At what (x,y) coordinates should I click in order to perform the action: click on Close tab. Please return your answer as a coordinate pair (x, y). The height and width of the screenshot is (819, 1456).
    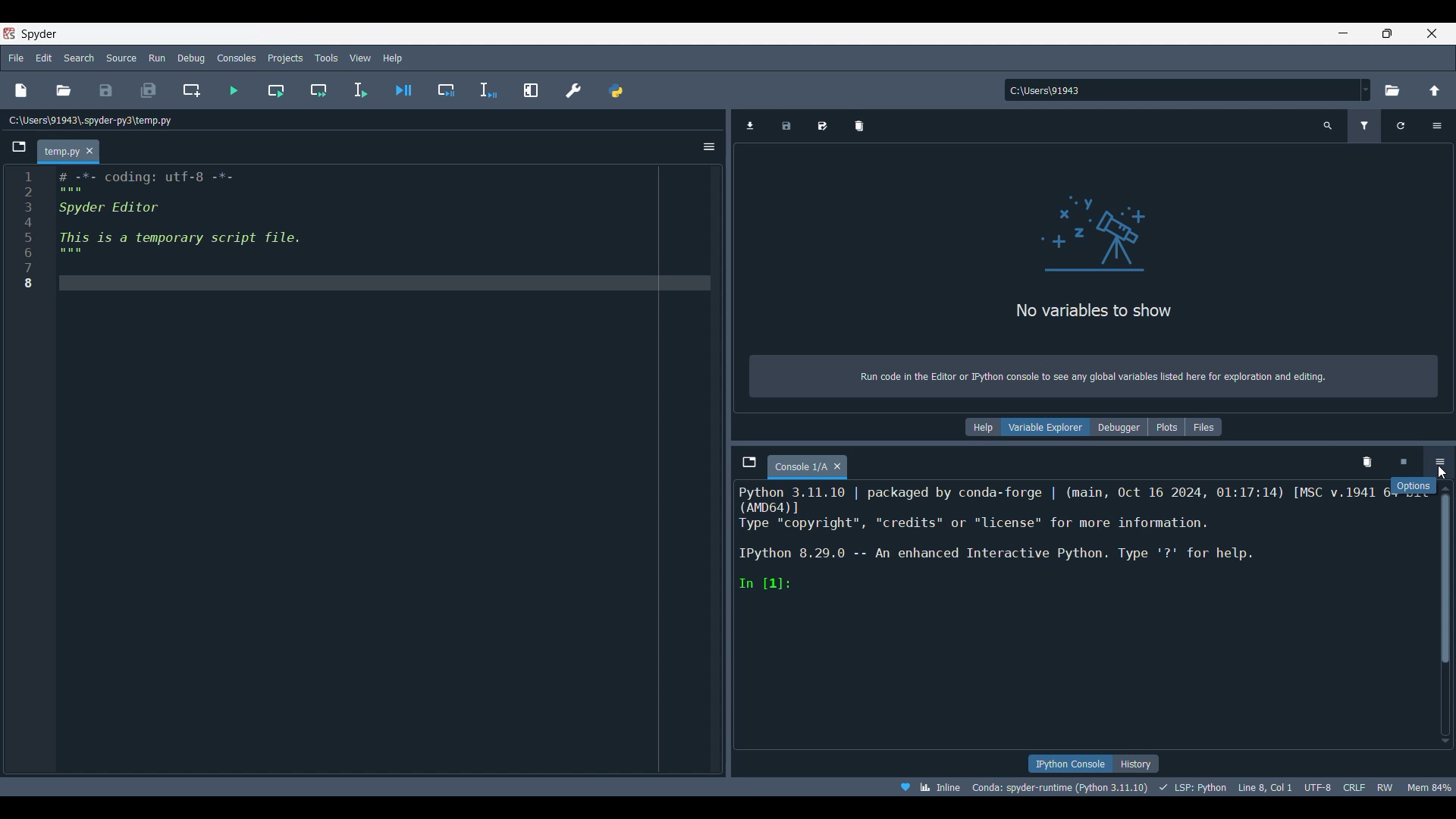
    Looking at the image, I should click on (837, 466).